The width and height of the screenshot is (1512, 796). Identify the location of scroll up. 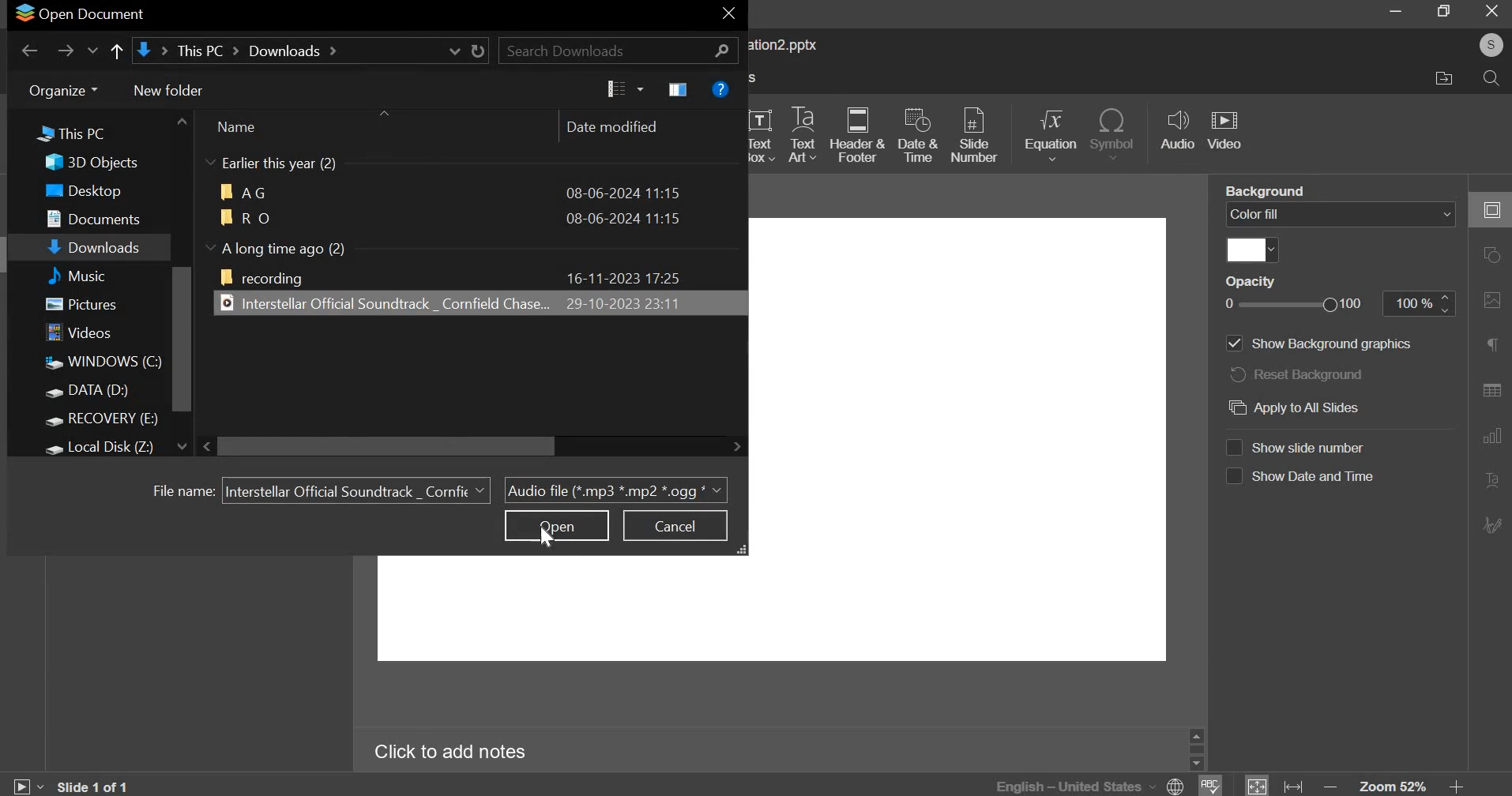
(182, 121).